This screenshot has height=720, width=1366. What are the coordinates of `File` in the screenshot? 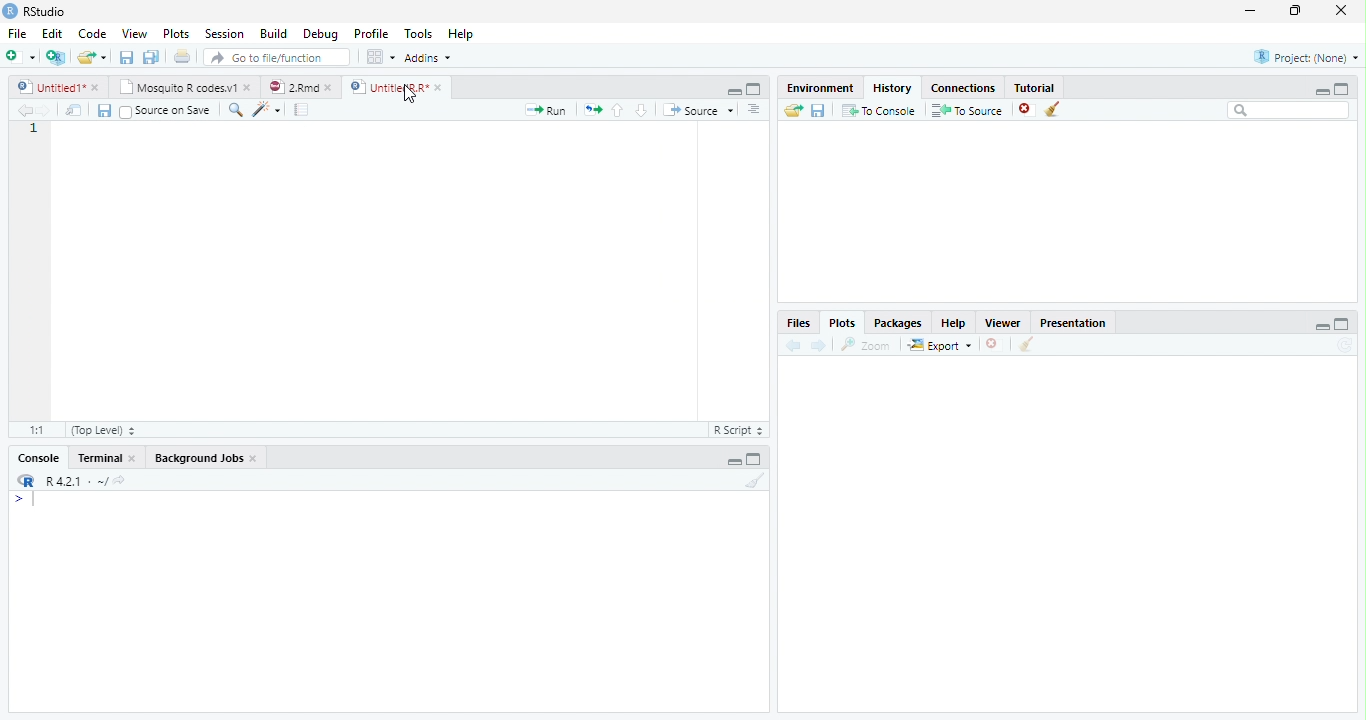 It's located at (17, 33).